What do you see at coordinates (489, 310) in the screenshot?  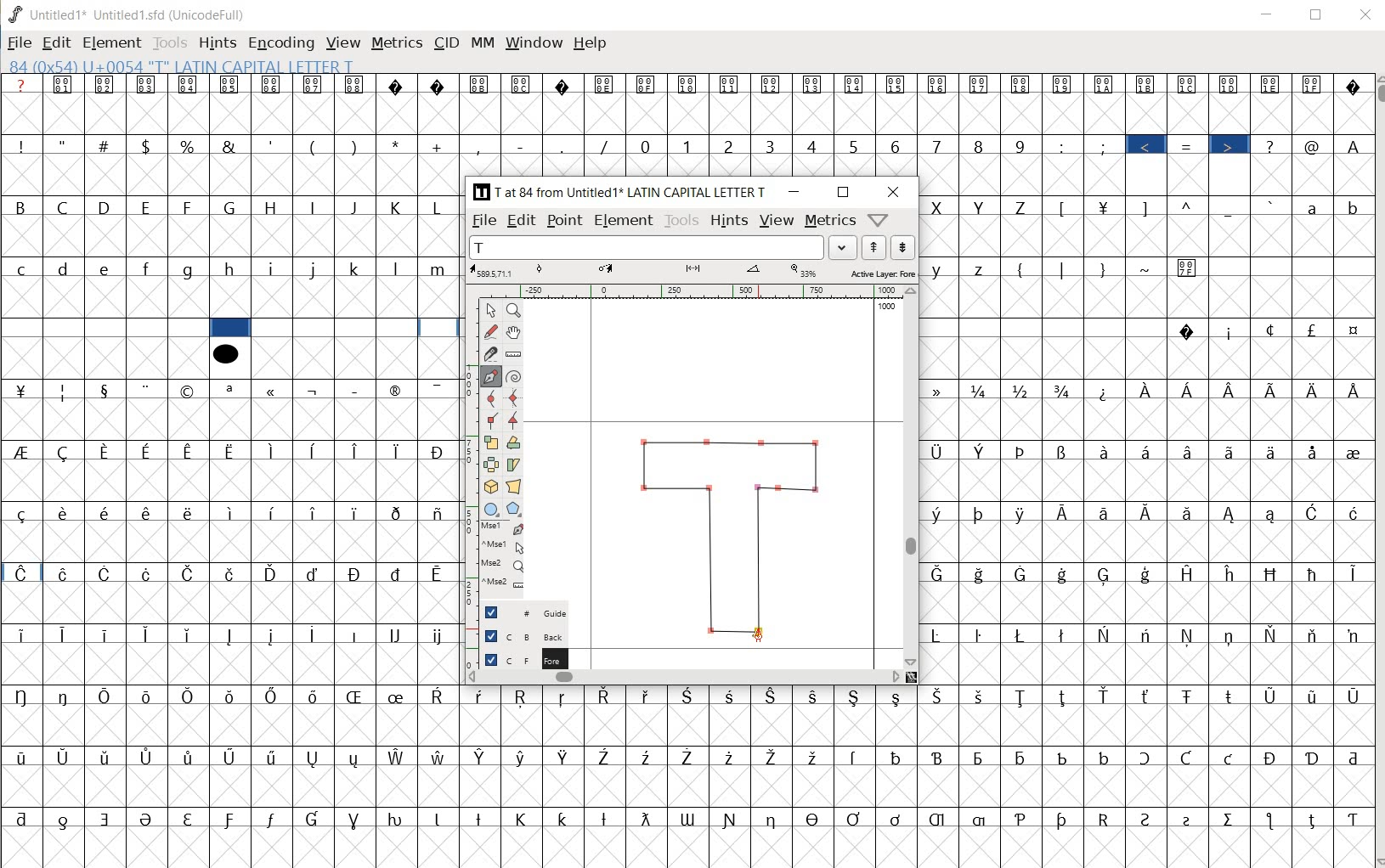 I see `point` at bounding box center [489, 310].